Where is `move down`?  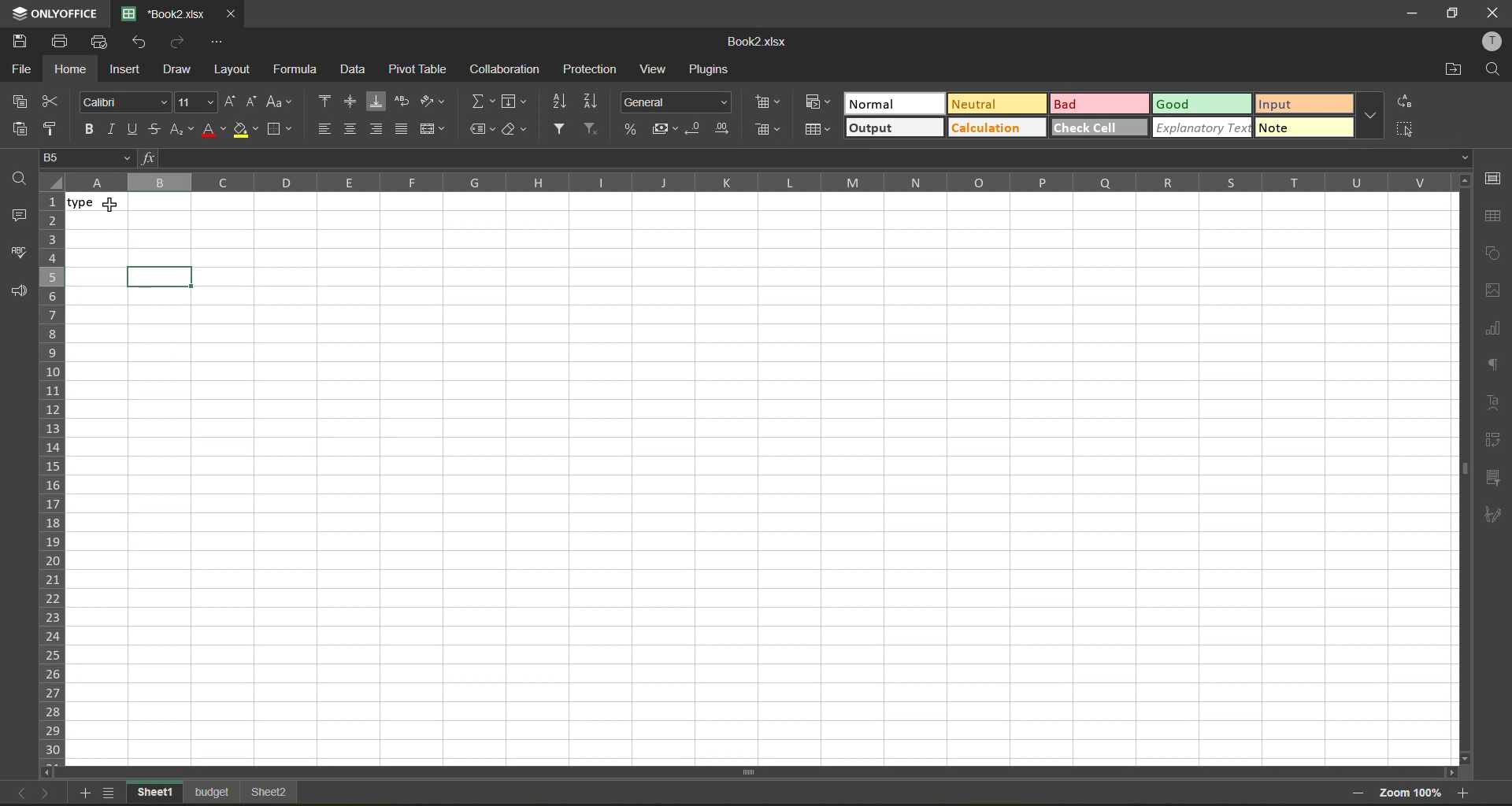
move down is located at coordinates (1464, 757).